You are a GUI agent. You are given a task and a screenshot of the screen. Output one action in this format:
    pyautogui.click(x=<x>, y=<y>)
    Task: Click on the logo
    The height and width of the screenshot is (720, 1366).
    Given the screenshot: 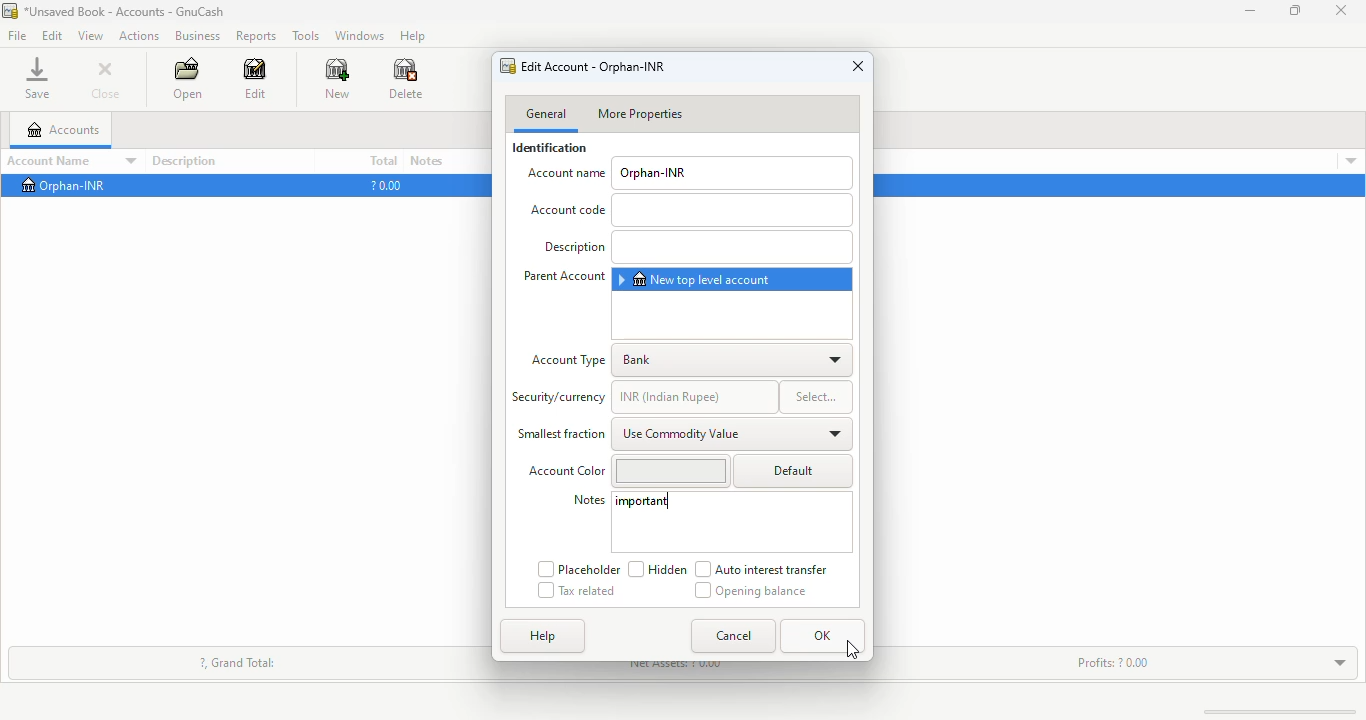 What is the action you would take?
    pyautogui.click(x=9, y=11)
    